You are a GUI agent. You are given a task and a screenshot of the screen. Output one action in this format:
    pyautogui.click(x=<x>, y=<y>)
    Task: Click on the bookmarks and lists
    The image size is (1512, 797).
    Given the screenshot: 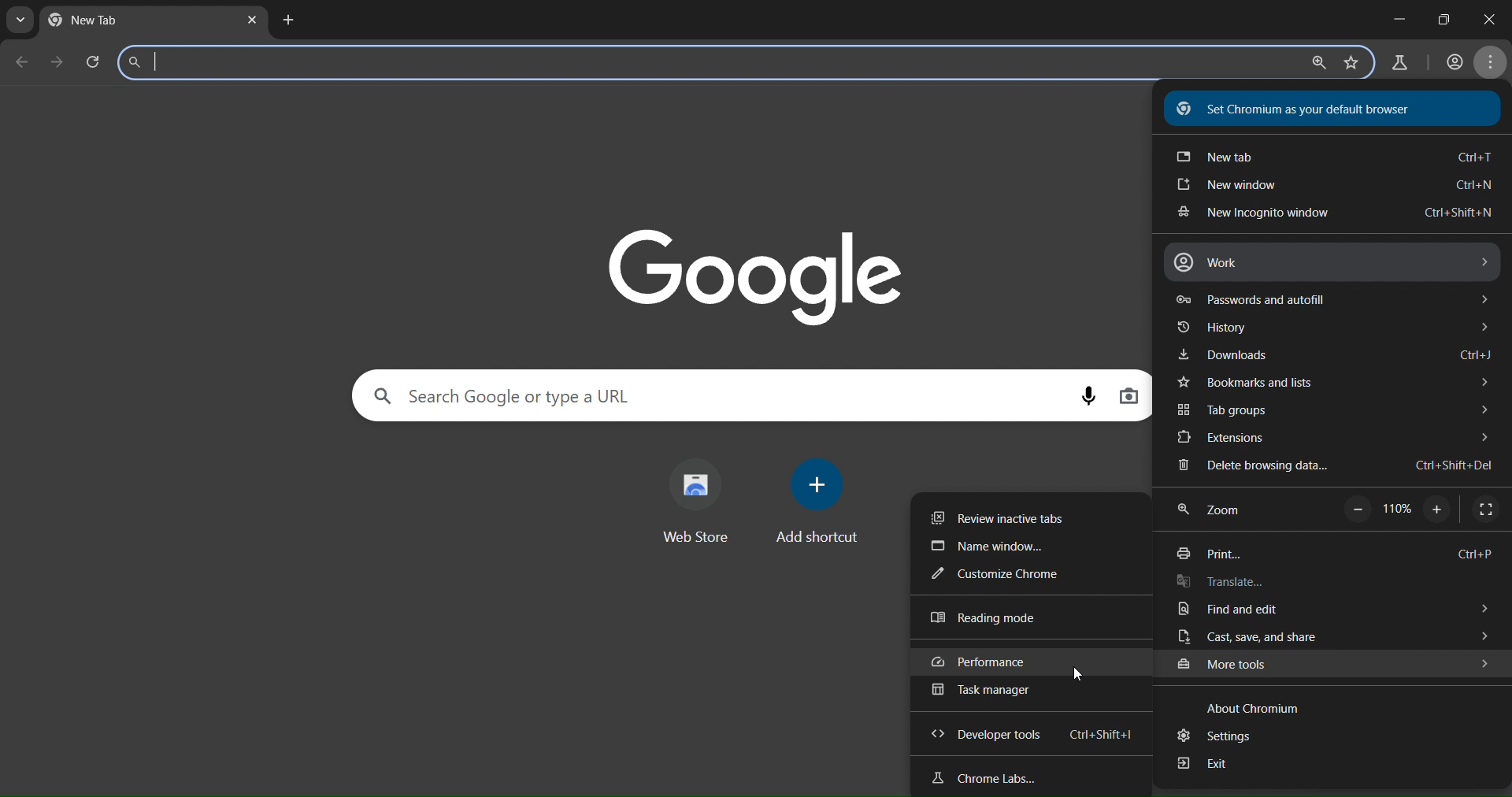 What is the action you would take?
    pyautogui.click(x=1332, y=384)
    